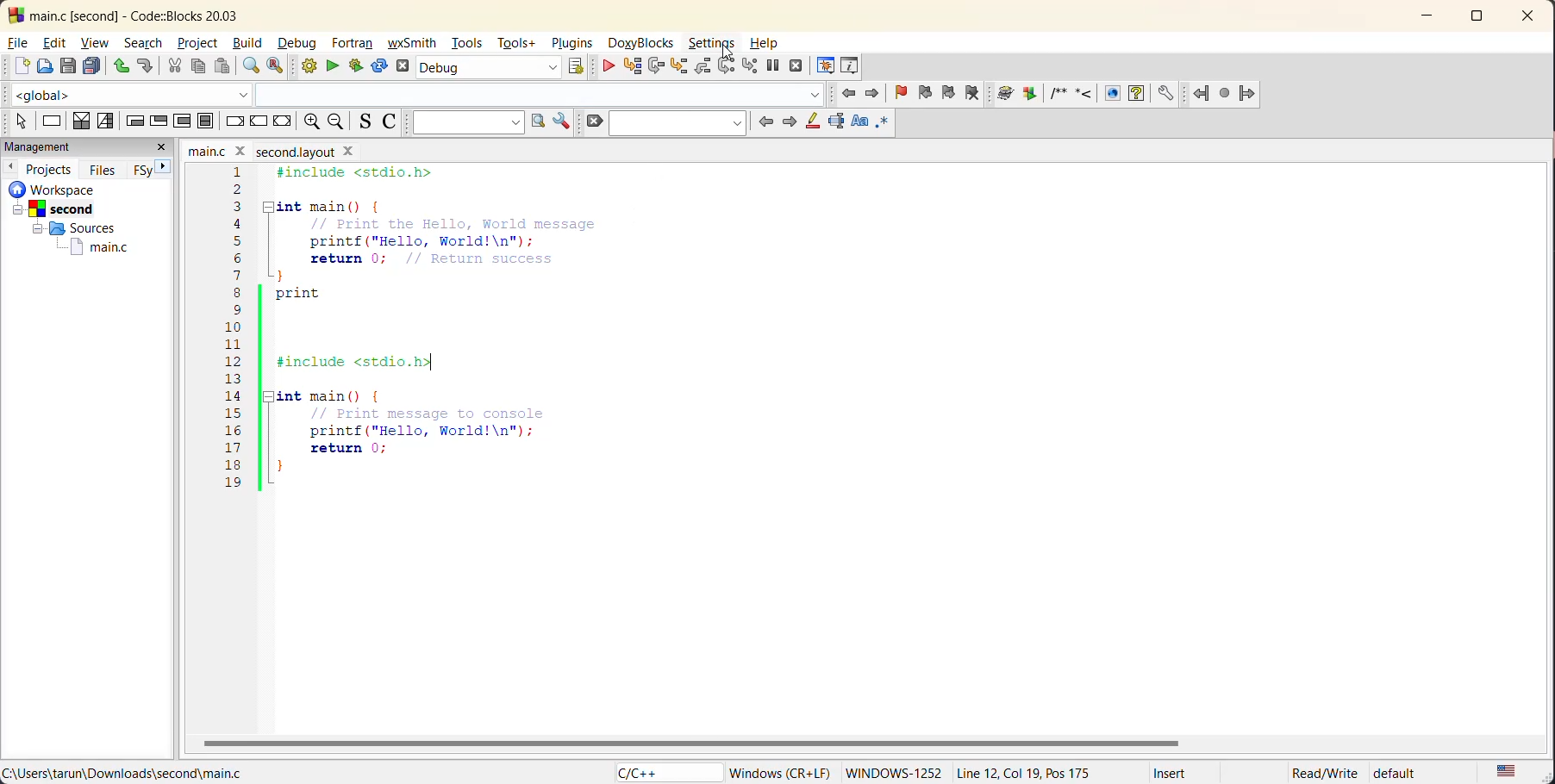 The height and width of the screenshot is (784, 1555). What do you see at coordinates (197, 65) in the screenshot?
I see `copy` at bounding box center [197, 65].